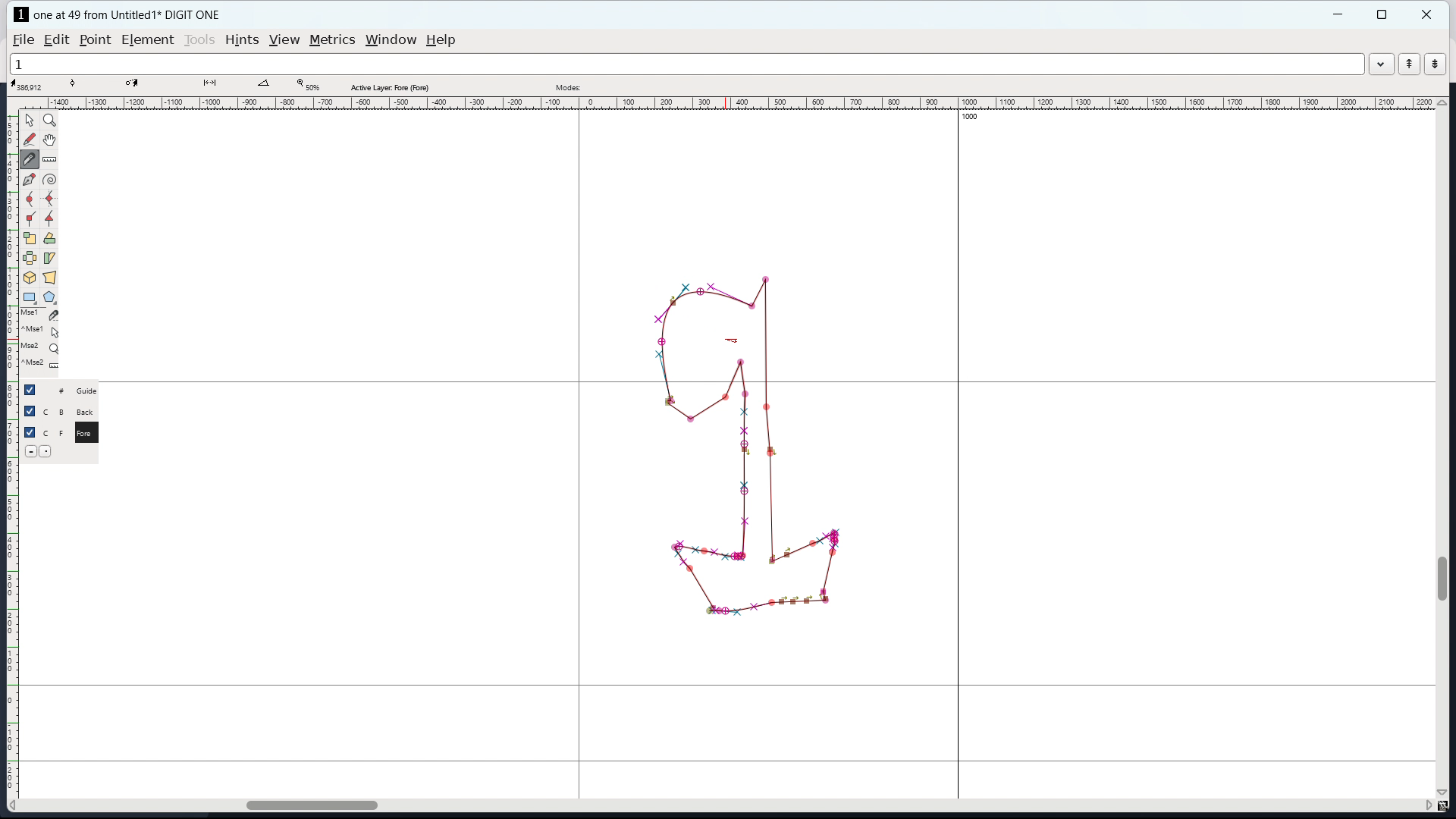 This screenshot has width=1456, height=819. What do you see at coordinates (30, 140) in the screenshot?
I see `draw a freehand curve` at bounding box center [30, 140].